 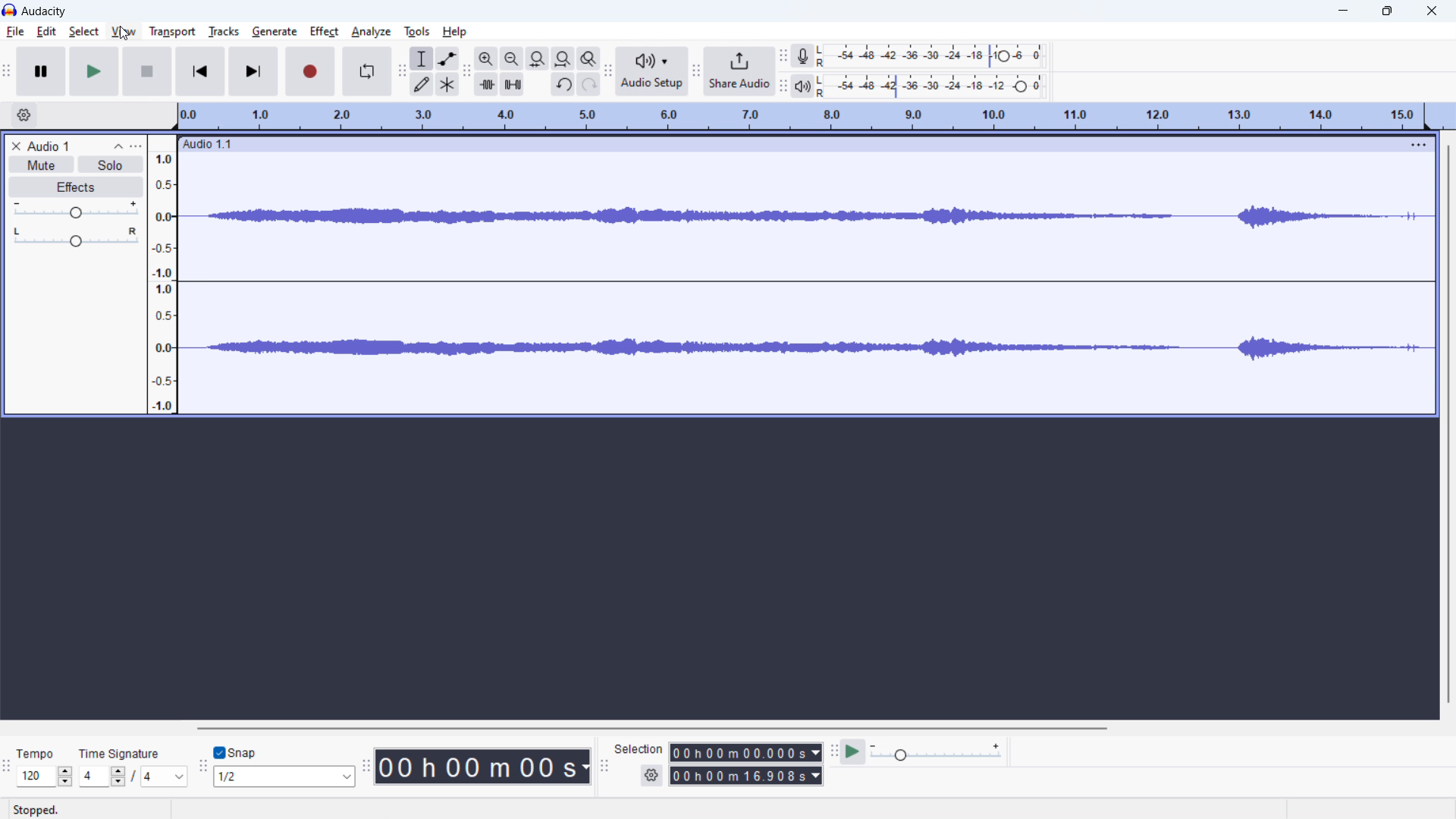 What do you see at coordinates (147, 72) in the screenshot?
I see `stop` at bounding box center [147, 72].